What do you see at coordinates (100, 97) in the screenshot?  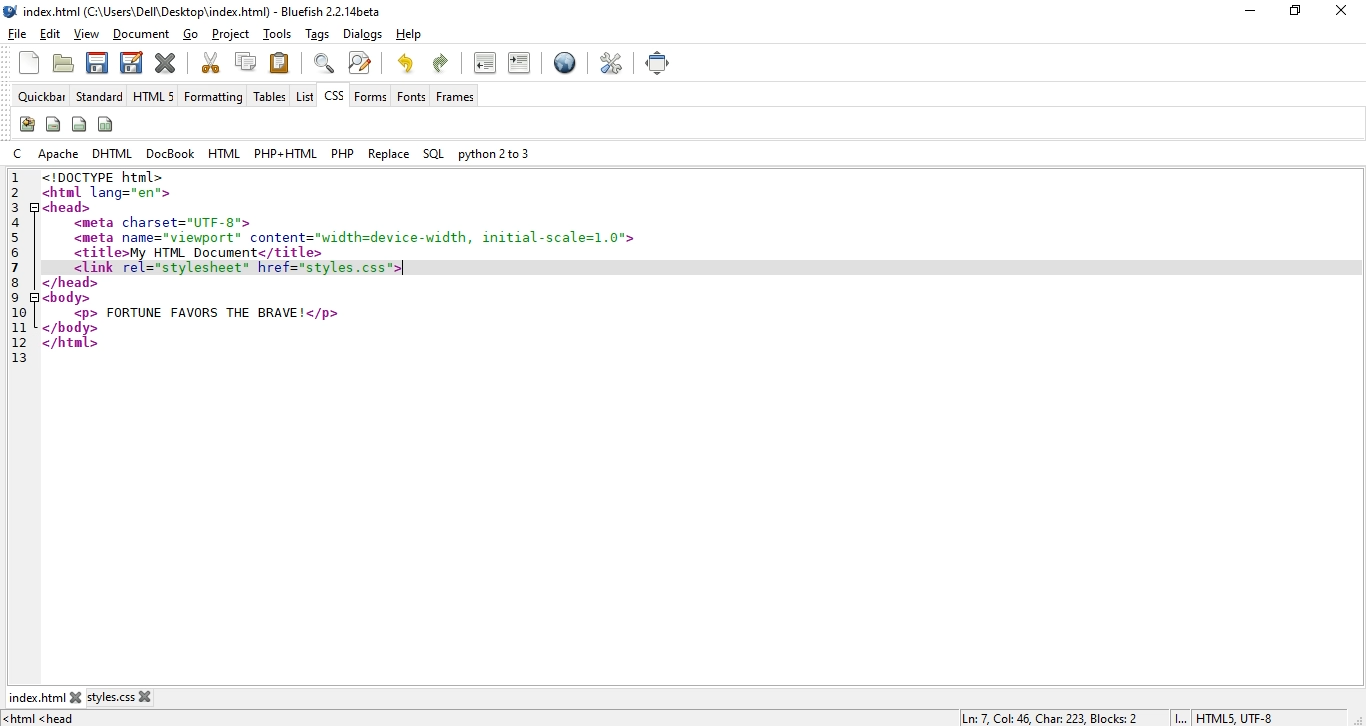 I see `standard` at bounding box center [100, 97].